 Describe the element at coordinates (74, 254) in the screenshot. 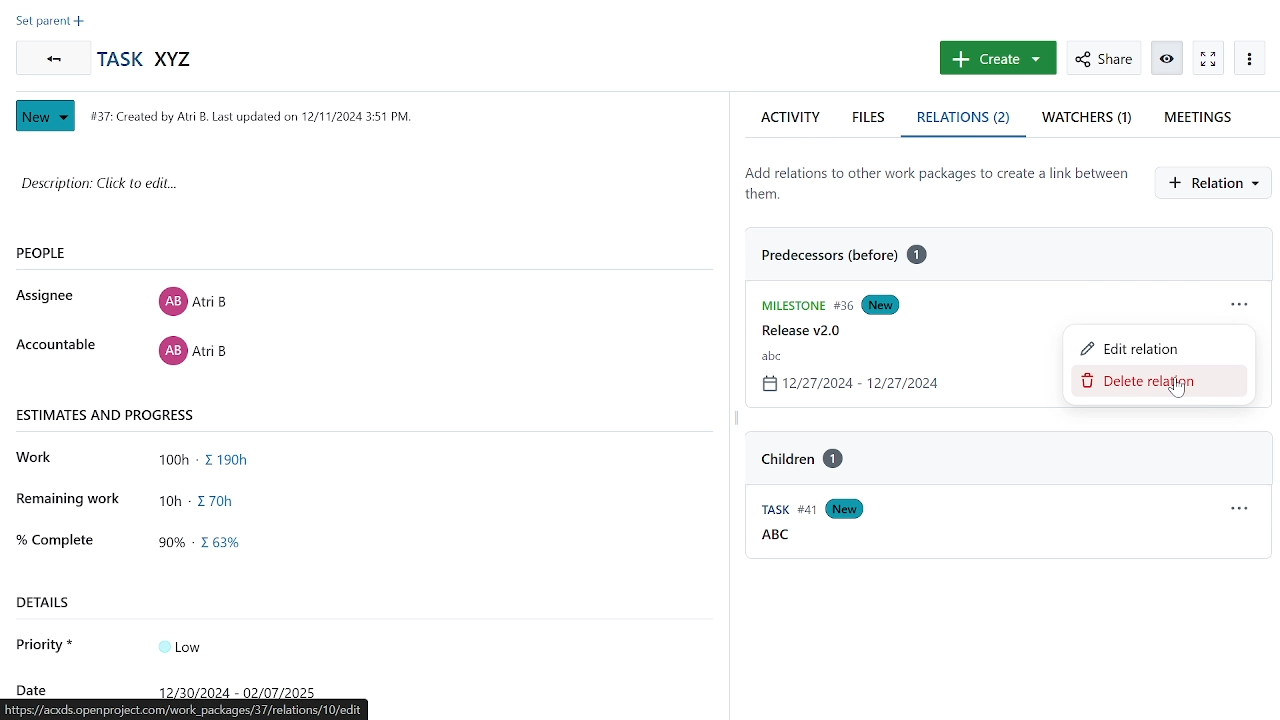

I see `people` at that location.